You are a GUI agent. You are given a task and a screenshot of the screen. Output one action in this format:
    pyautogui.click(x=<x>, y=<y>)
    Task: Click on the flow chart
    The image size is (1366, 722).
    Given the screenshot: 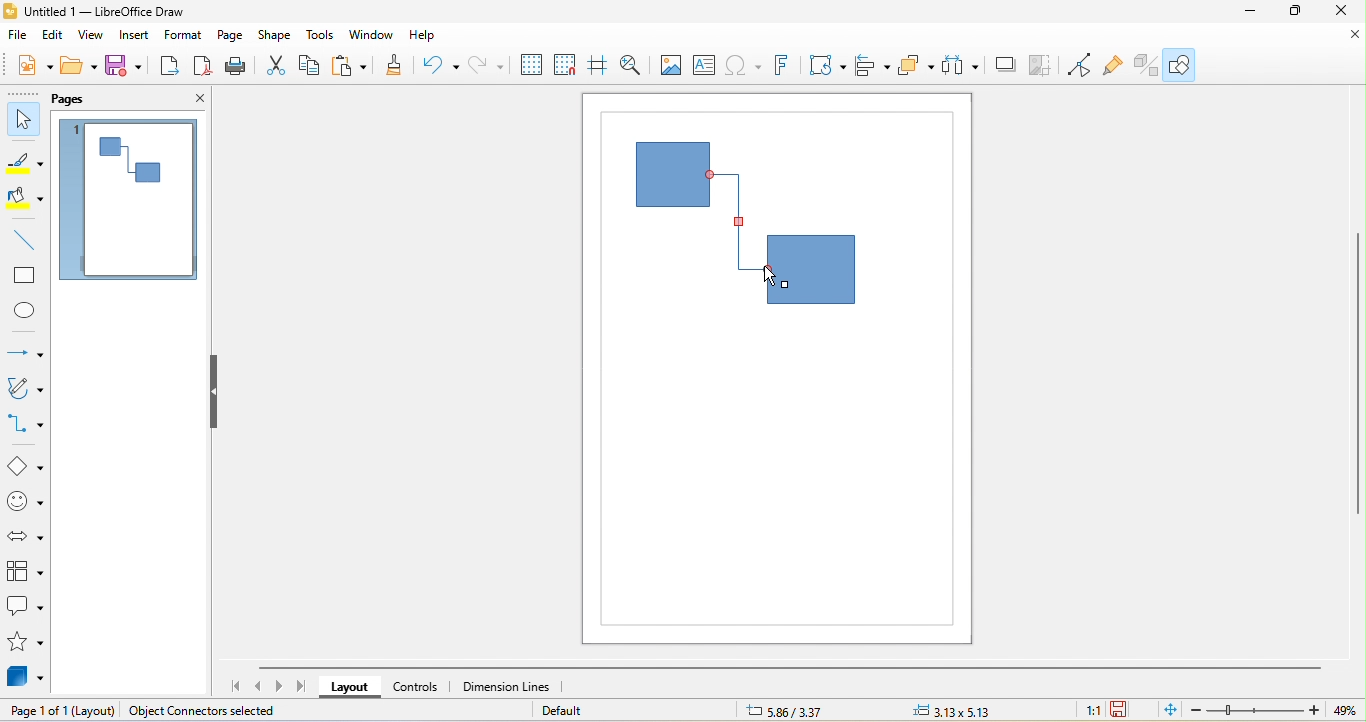 What is the action you would take?
    pyautogui.click(x=27, y=572)
    